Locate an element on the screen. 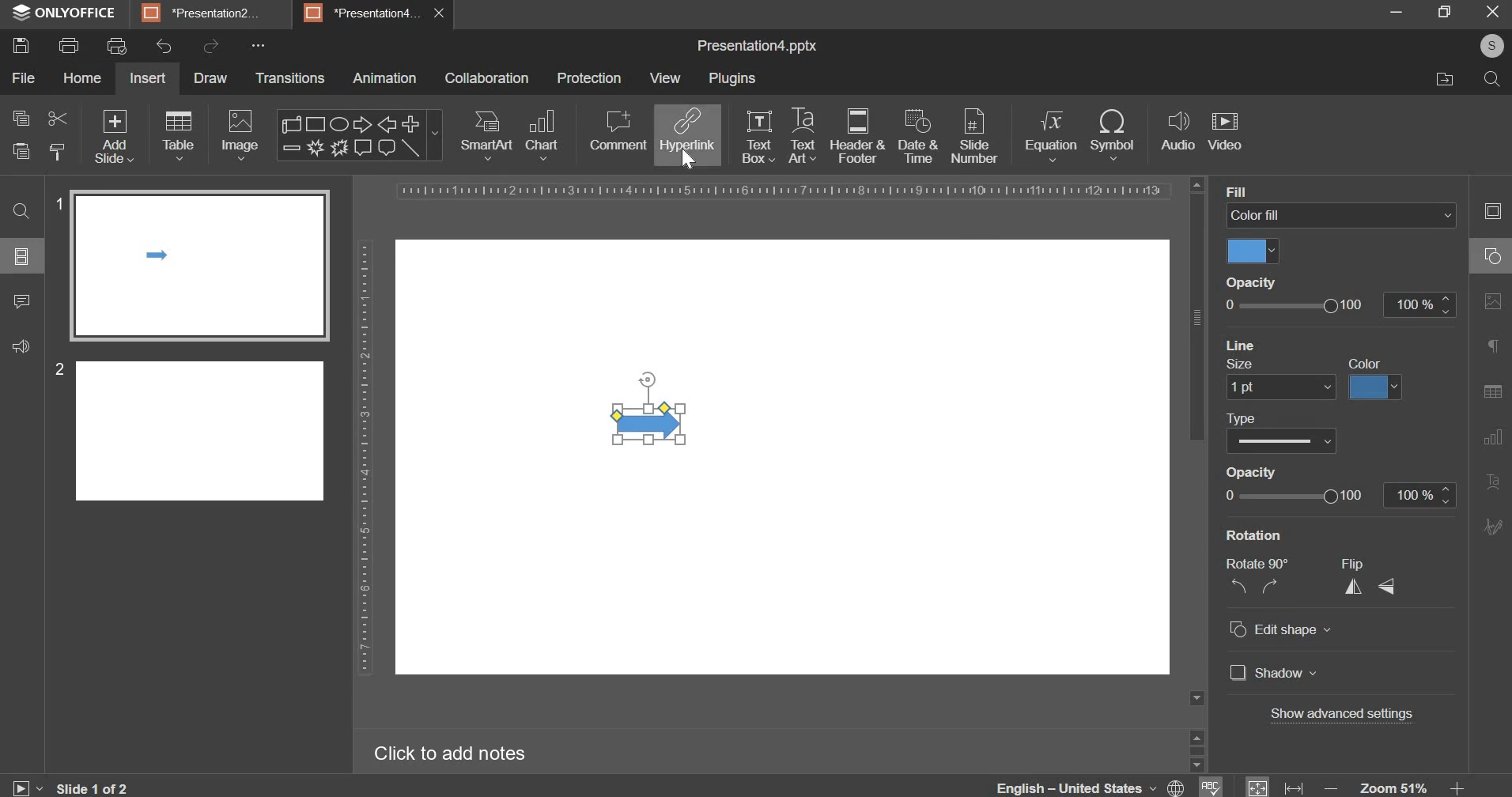 The height and width of the screenshot is (797, 1512). collaboration is located at coordinates (489, 78).